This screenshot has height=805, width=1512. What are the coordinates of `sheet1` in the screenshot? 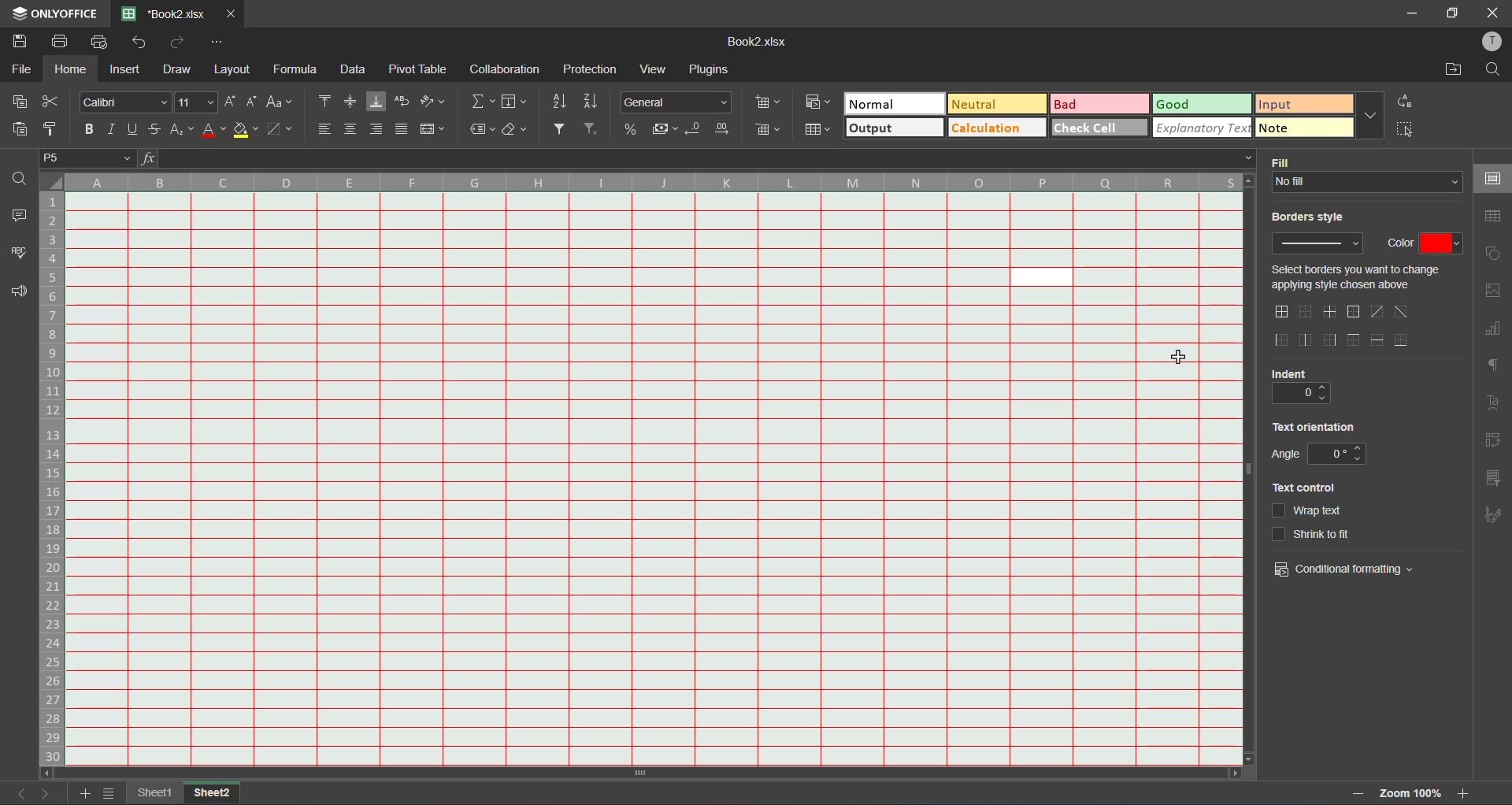 It's located at (153, 792).